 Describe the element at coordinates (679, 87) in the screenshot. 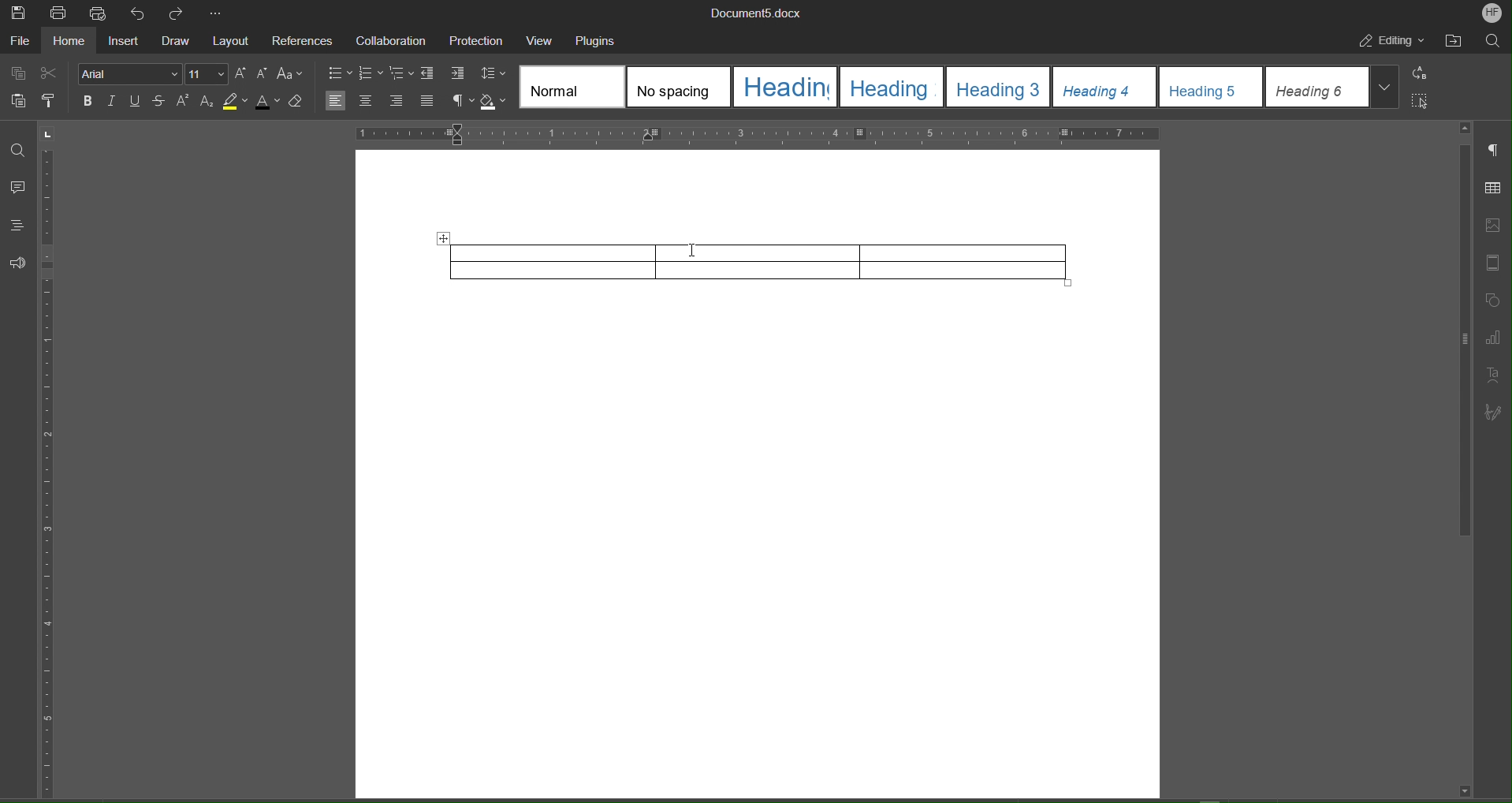

I see `No spacing` at that location.